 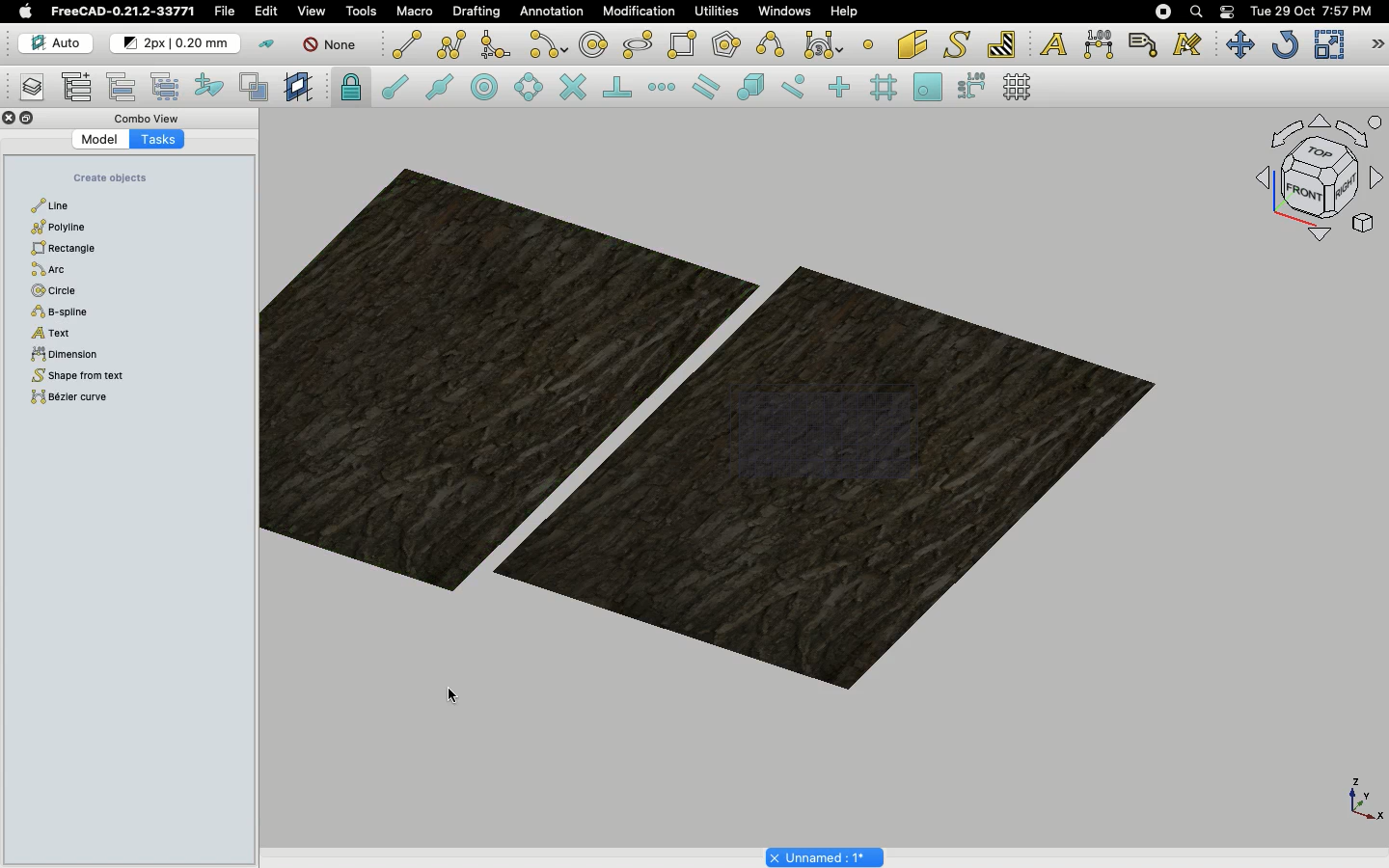 I want to click on Windows, so click(x=789, y=14).